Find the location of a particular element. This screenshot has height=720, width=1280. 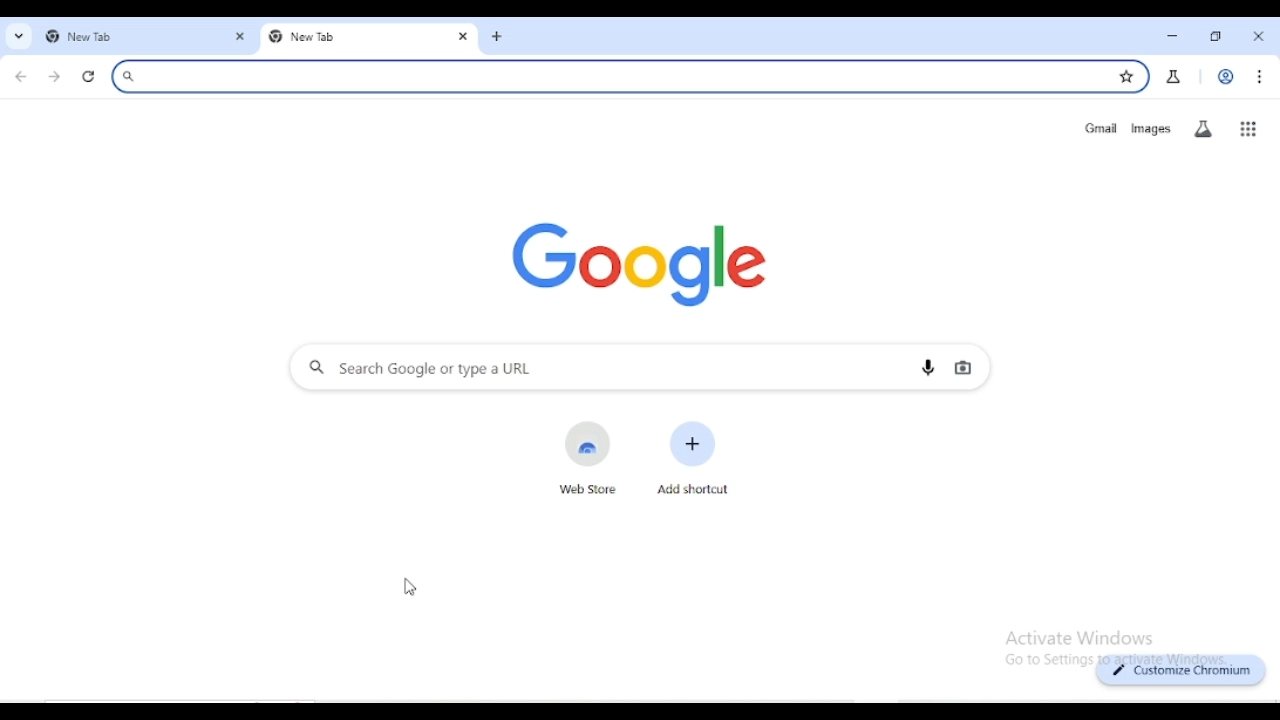

cursor is located at coordinates (410, 586).